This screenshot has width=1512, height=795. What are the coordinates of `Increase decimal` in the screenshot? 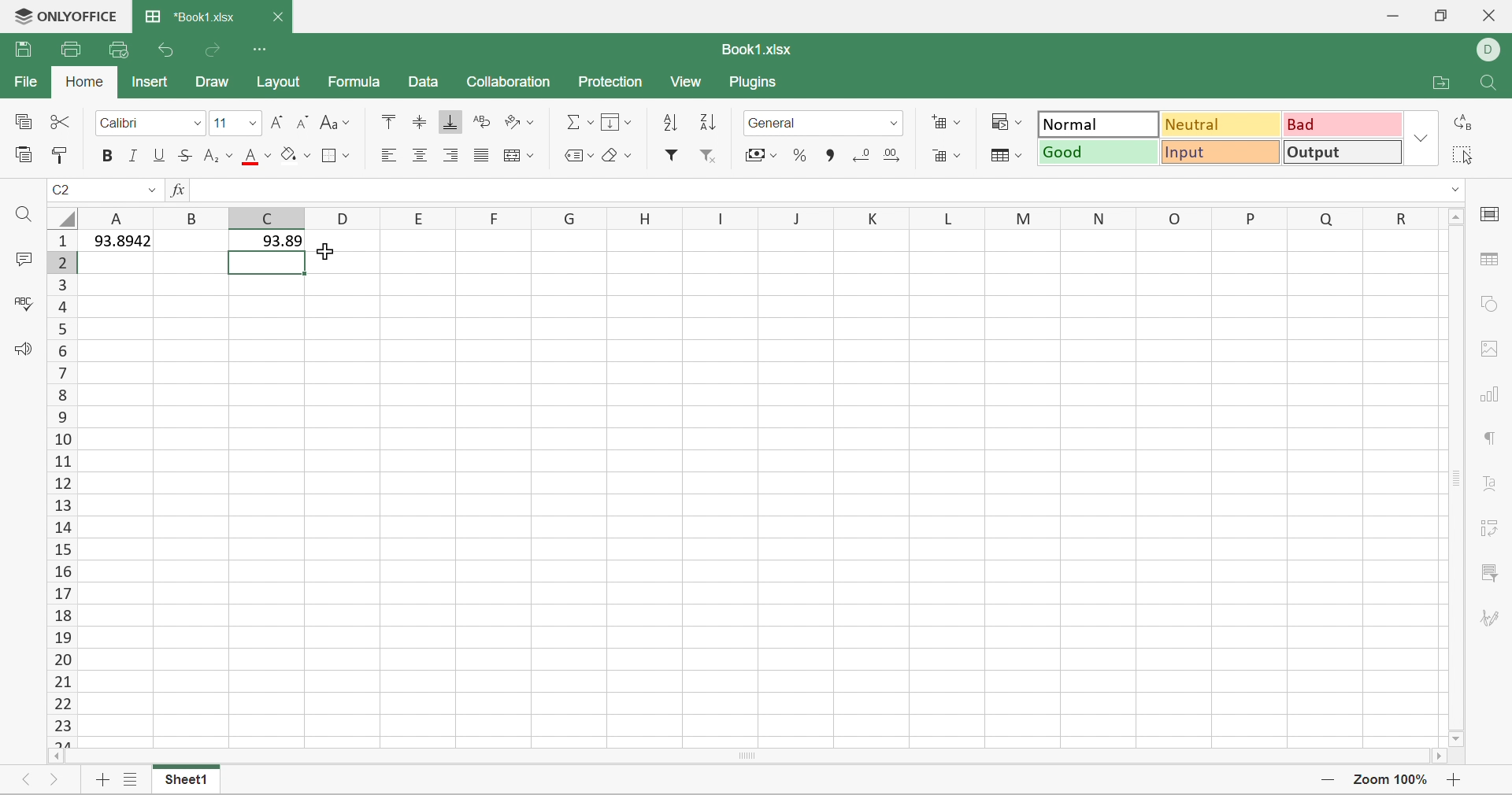 It's located at (895, 152).